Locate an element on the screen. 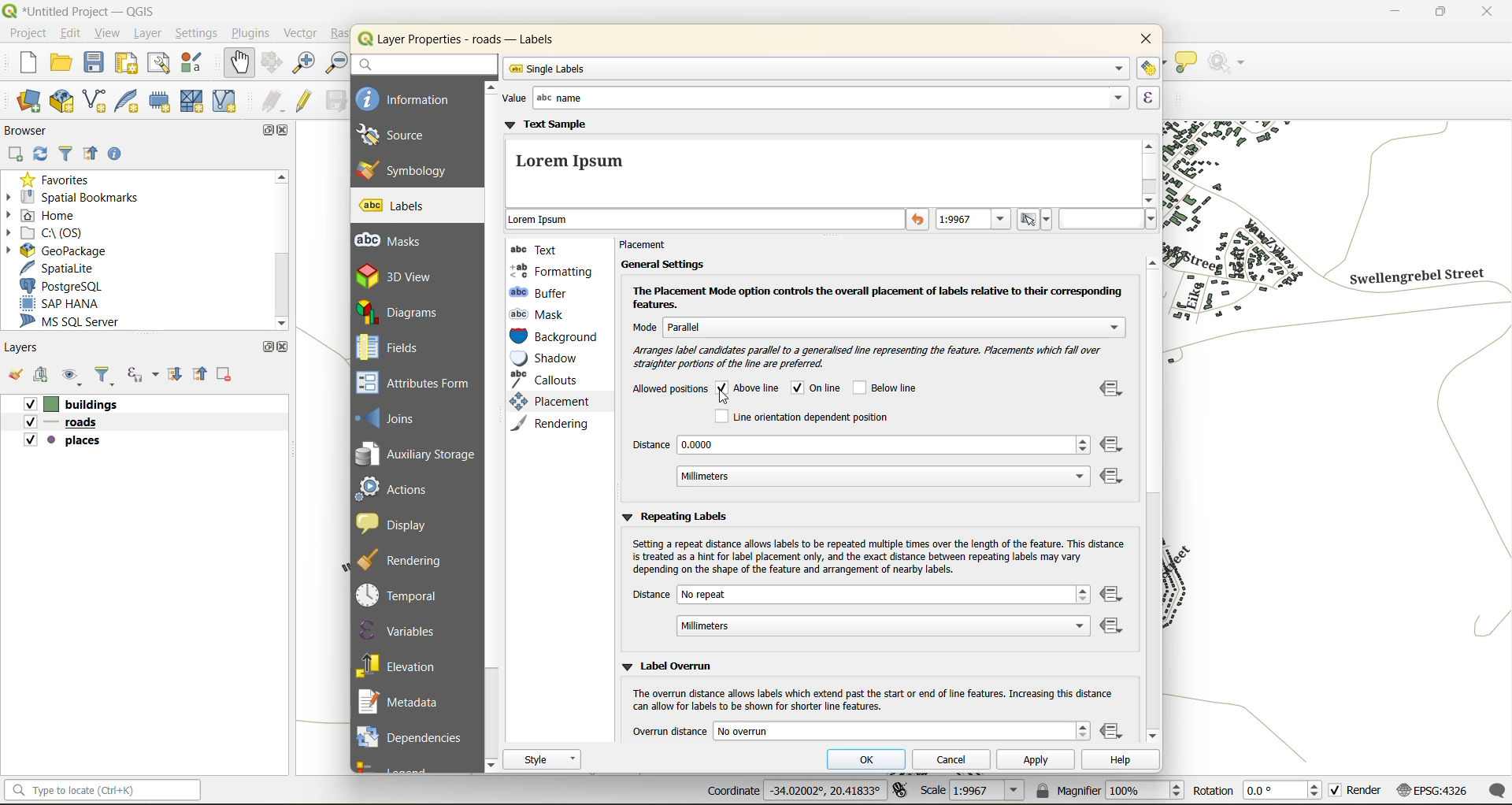 Image resolution: width=1512 pixels, height=805 pixels. crs is located at coordinates (1431, 787).